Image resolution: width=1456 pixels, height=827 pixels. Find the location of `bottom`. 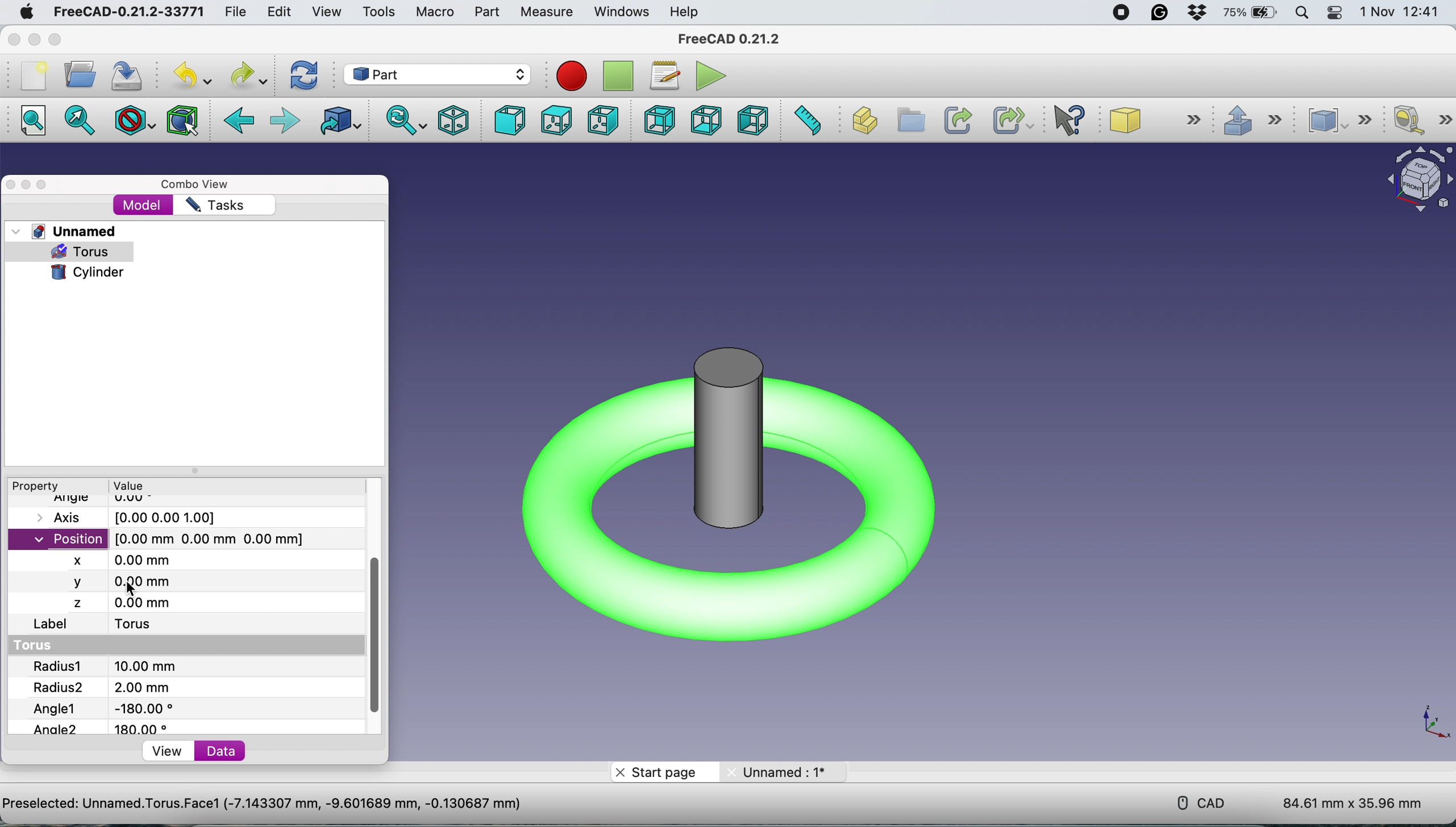

bottom is located at coordinates (710, 120).